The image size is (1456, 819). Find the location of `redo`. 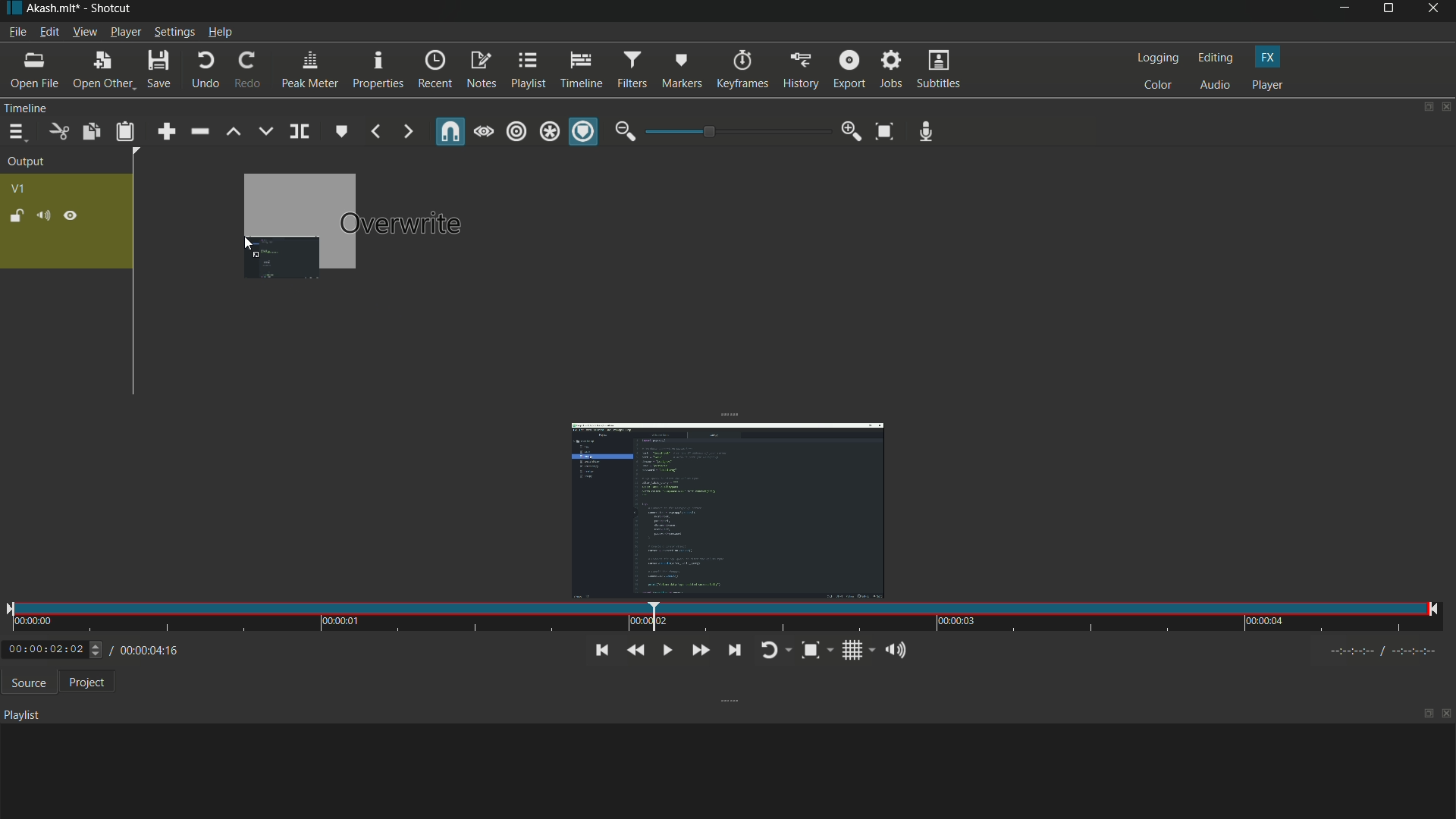

redo is located at coordinates (244, 70).